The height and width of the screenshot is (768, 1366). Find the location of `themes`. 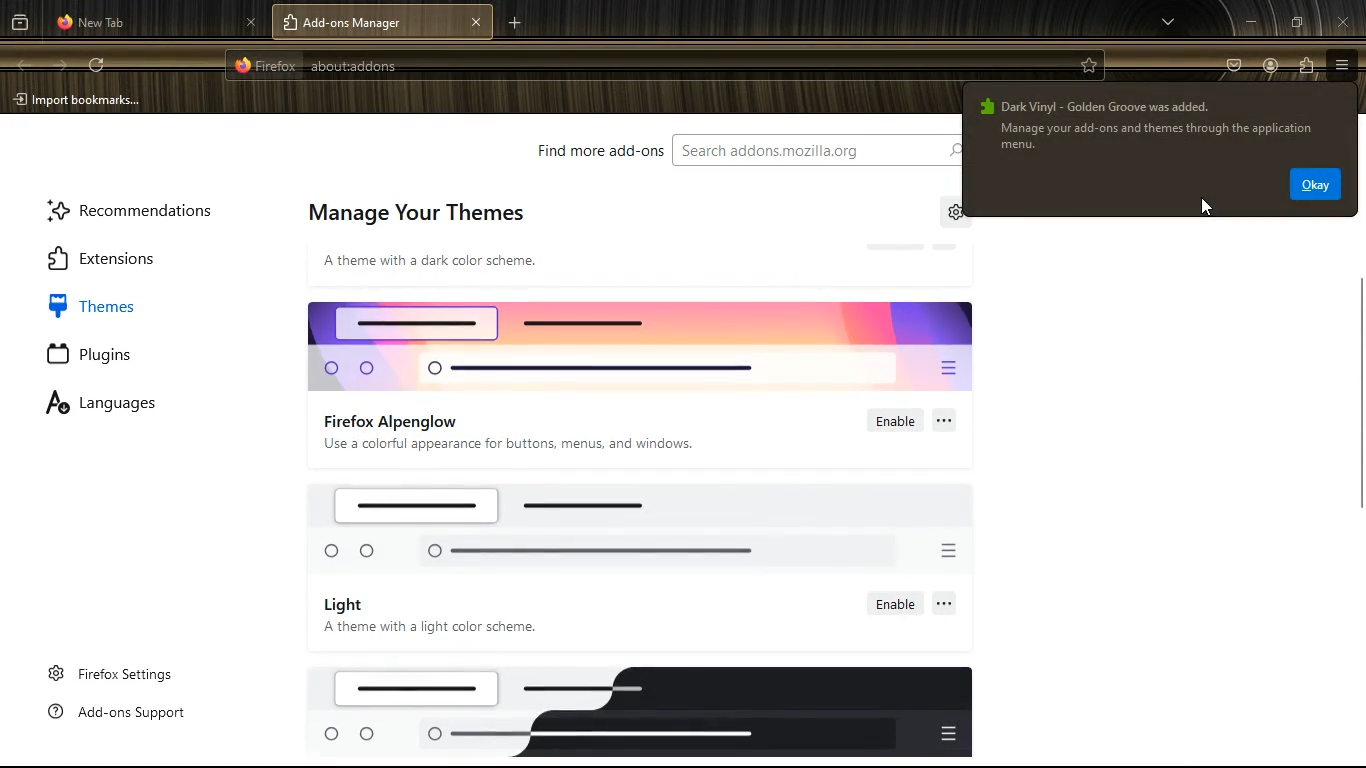

themes is located at coordinates (109, 305).